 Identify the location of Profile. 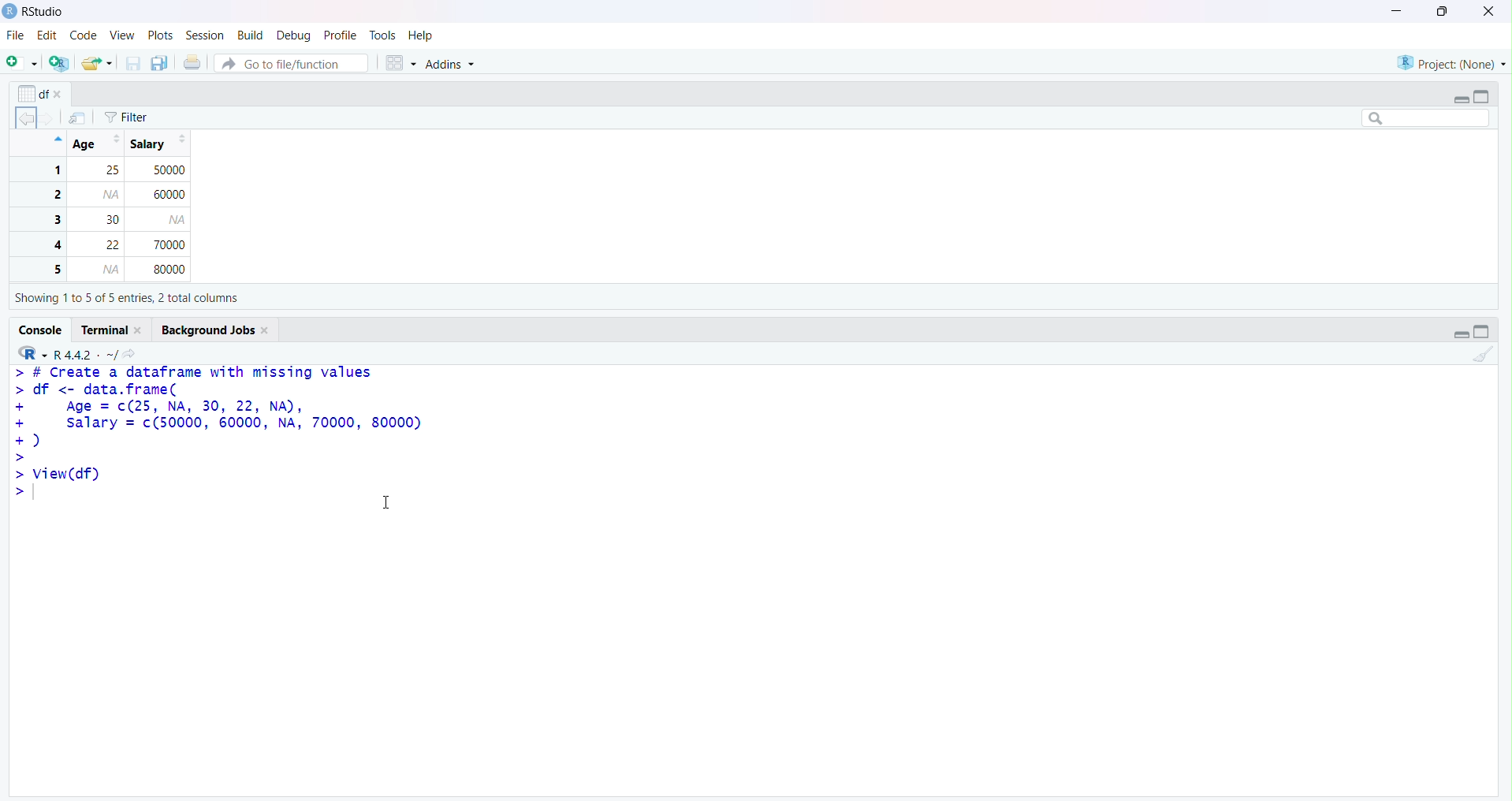
(341, 35).